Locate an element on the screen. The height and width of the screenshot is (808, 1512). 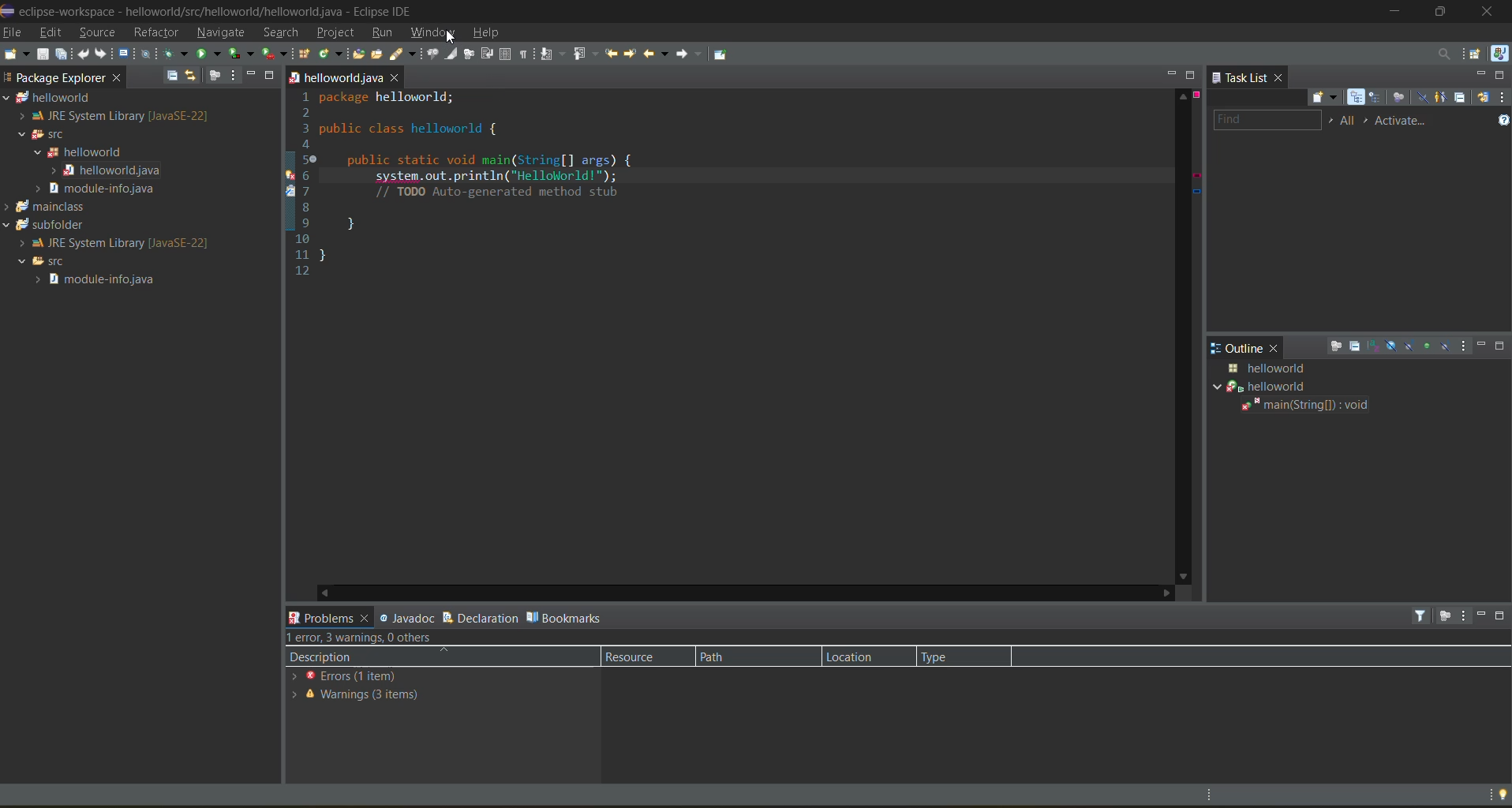
task list is located at coordinates (1243, 77).